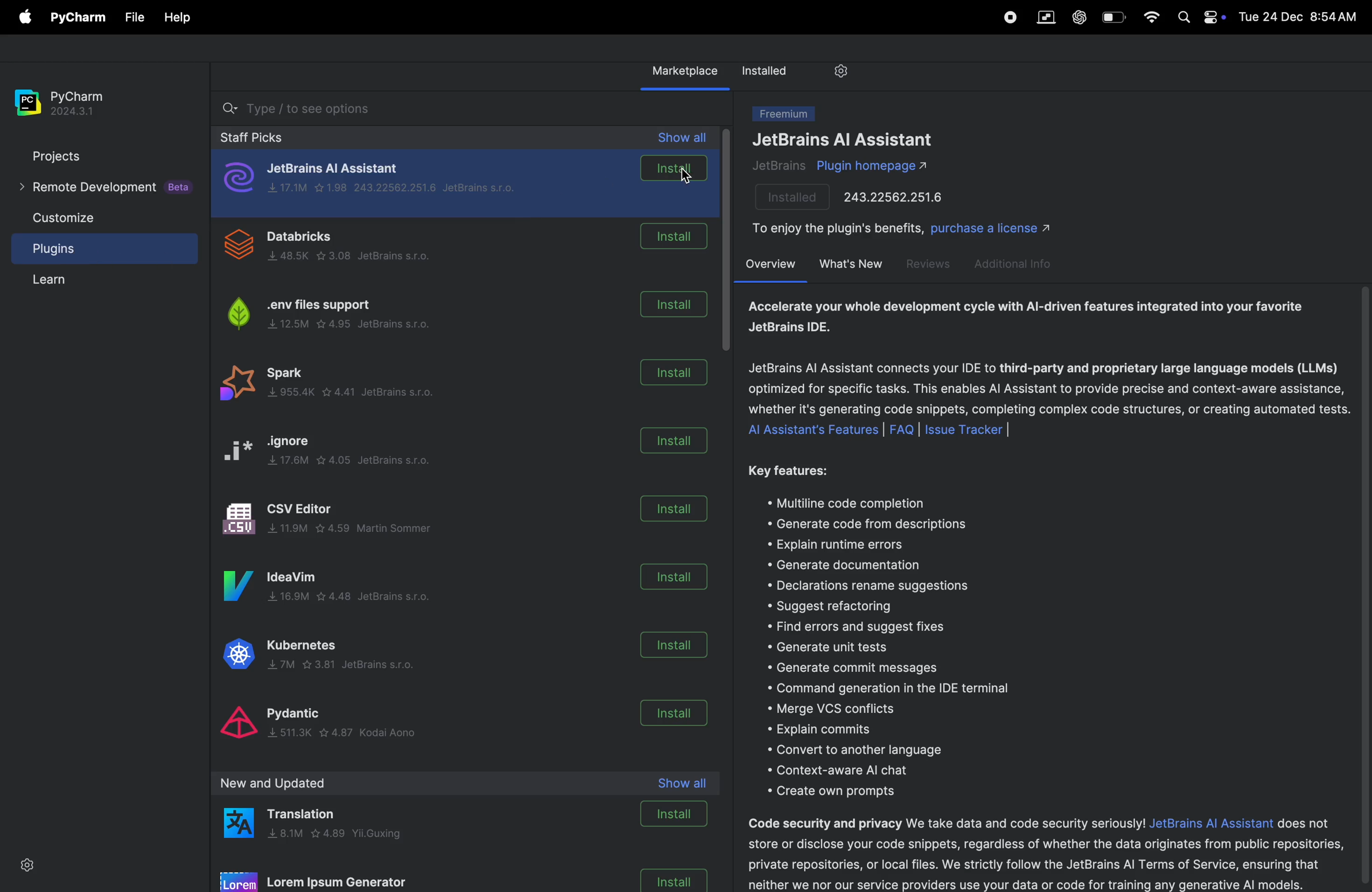  Describe the element at coordinates (856, 165) in the screenshot. I see `plugins ai ` at that location.